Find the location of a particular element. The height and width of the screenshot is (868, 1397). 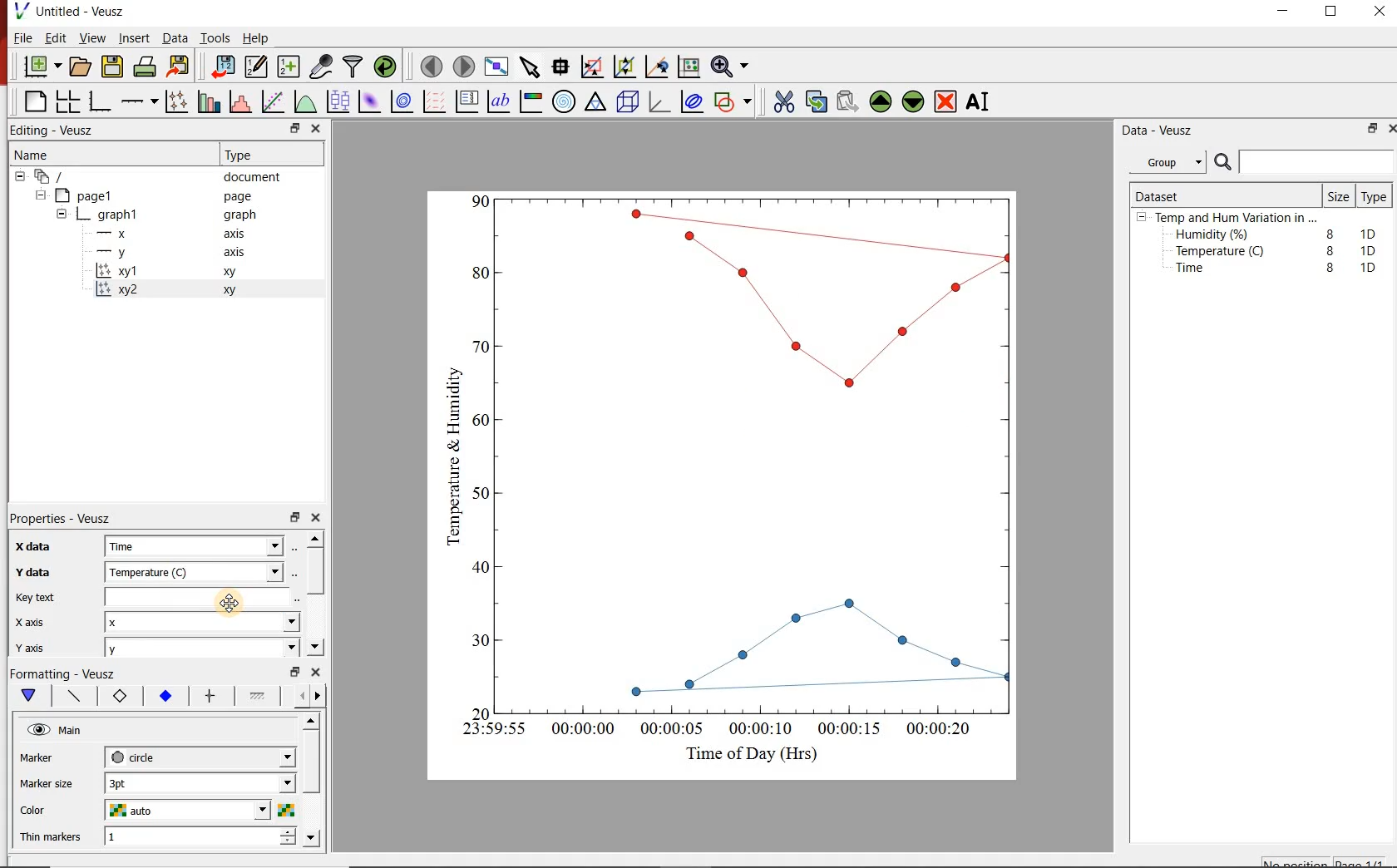

xy is located at coordinates (233, 274).